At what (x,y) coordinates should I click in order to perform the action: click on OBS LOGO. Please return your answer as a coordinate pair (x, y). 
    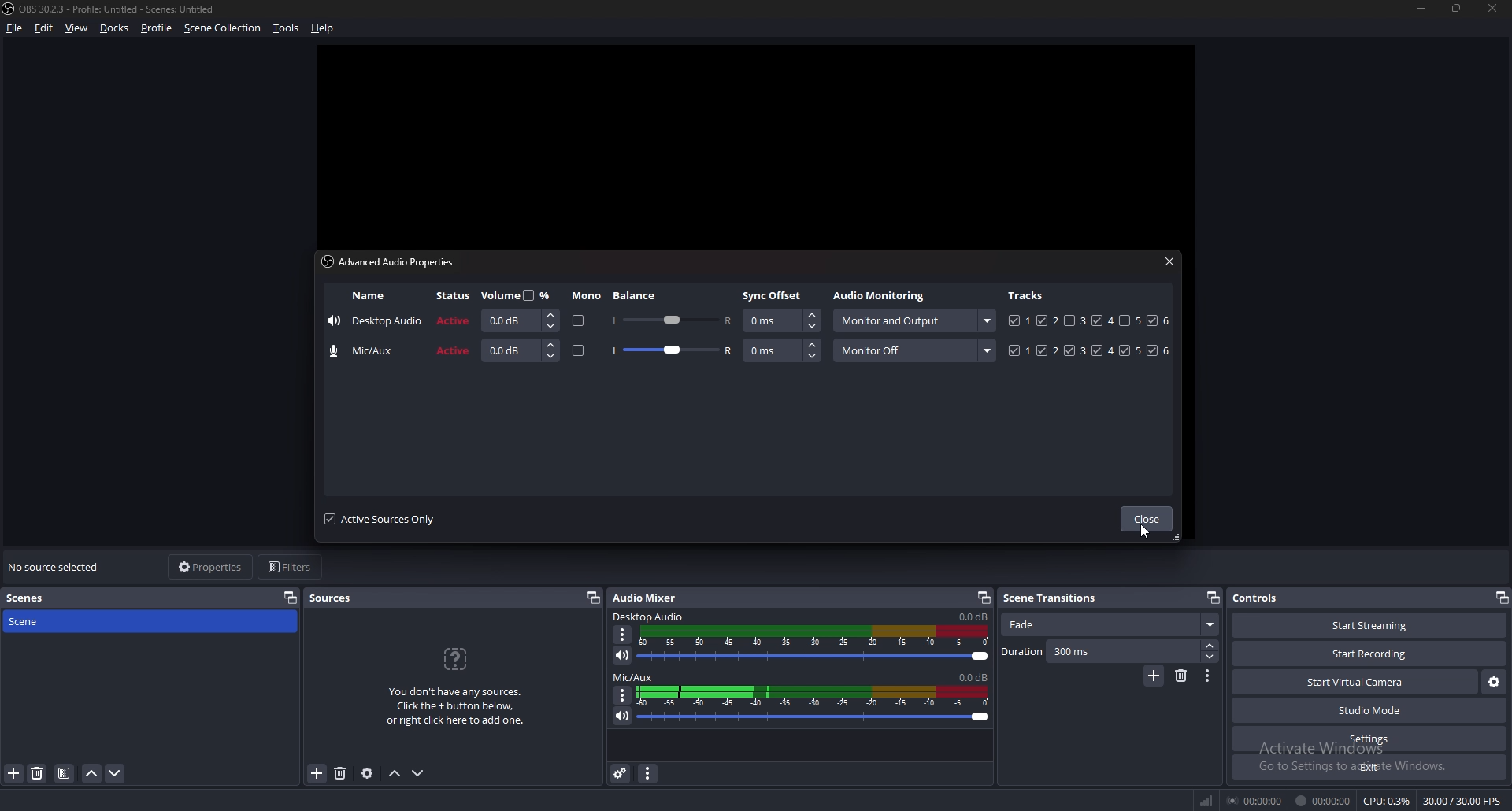
    Looking at the image, I should click on (9, 10).